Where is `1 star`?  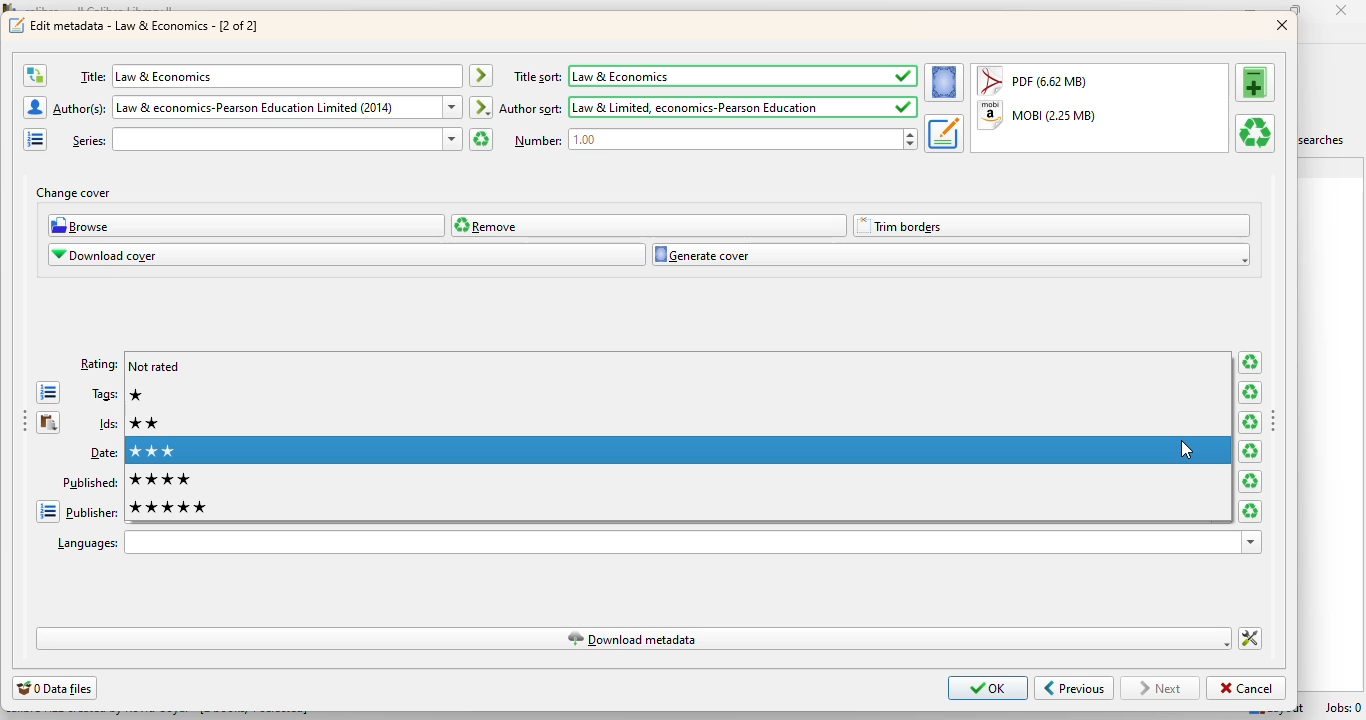 1 star is located at coordinates (137, 394).